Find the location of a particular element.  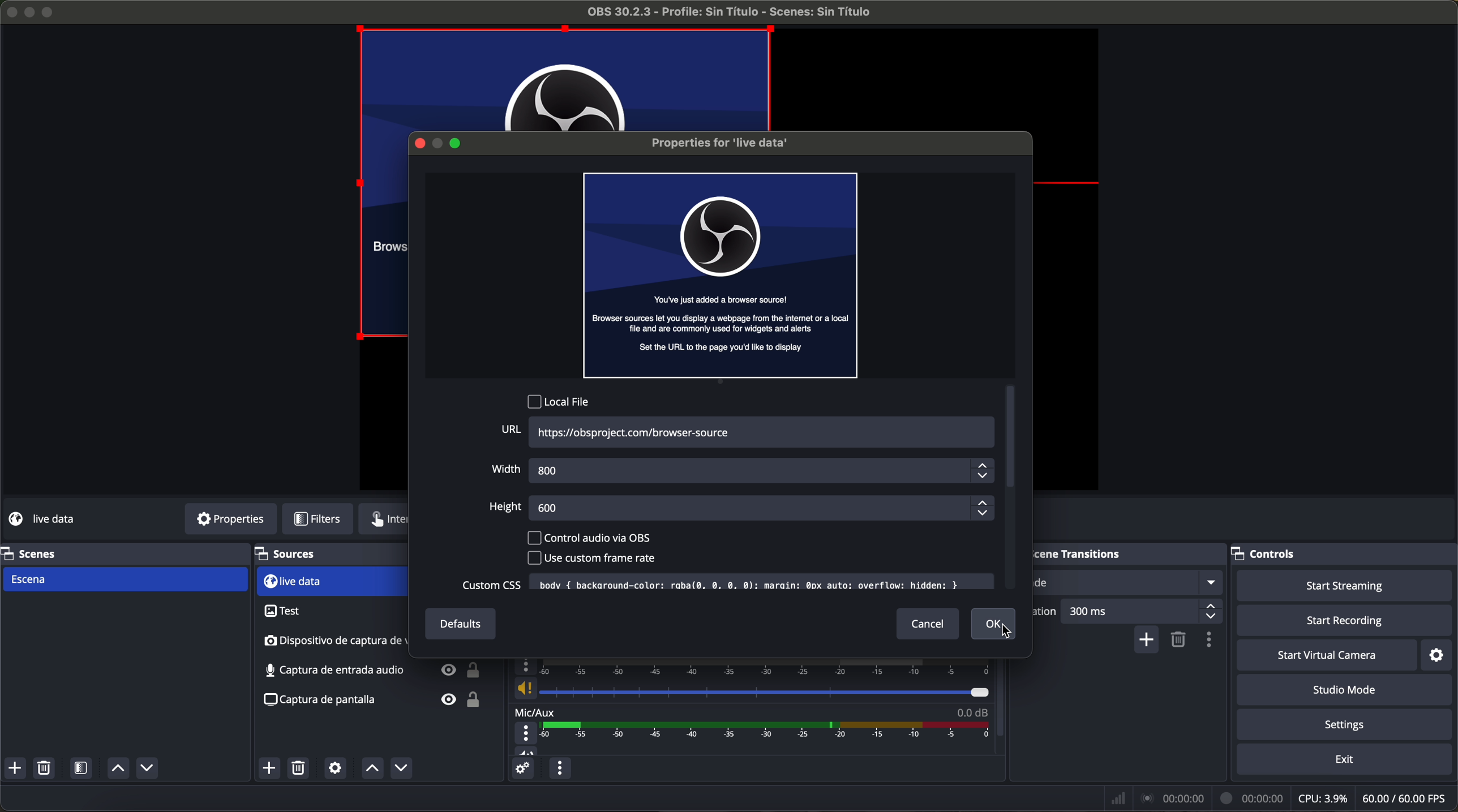

screenshot is located at coordinates (368, 702).